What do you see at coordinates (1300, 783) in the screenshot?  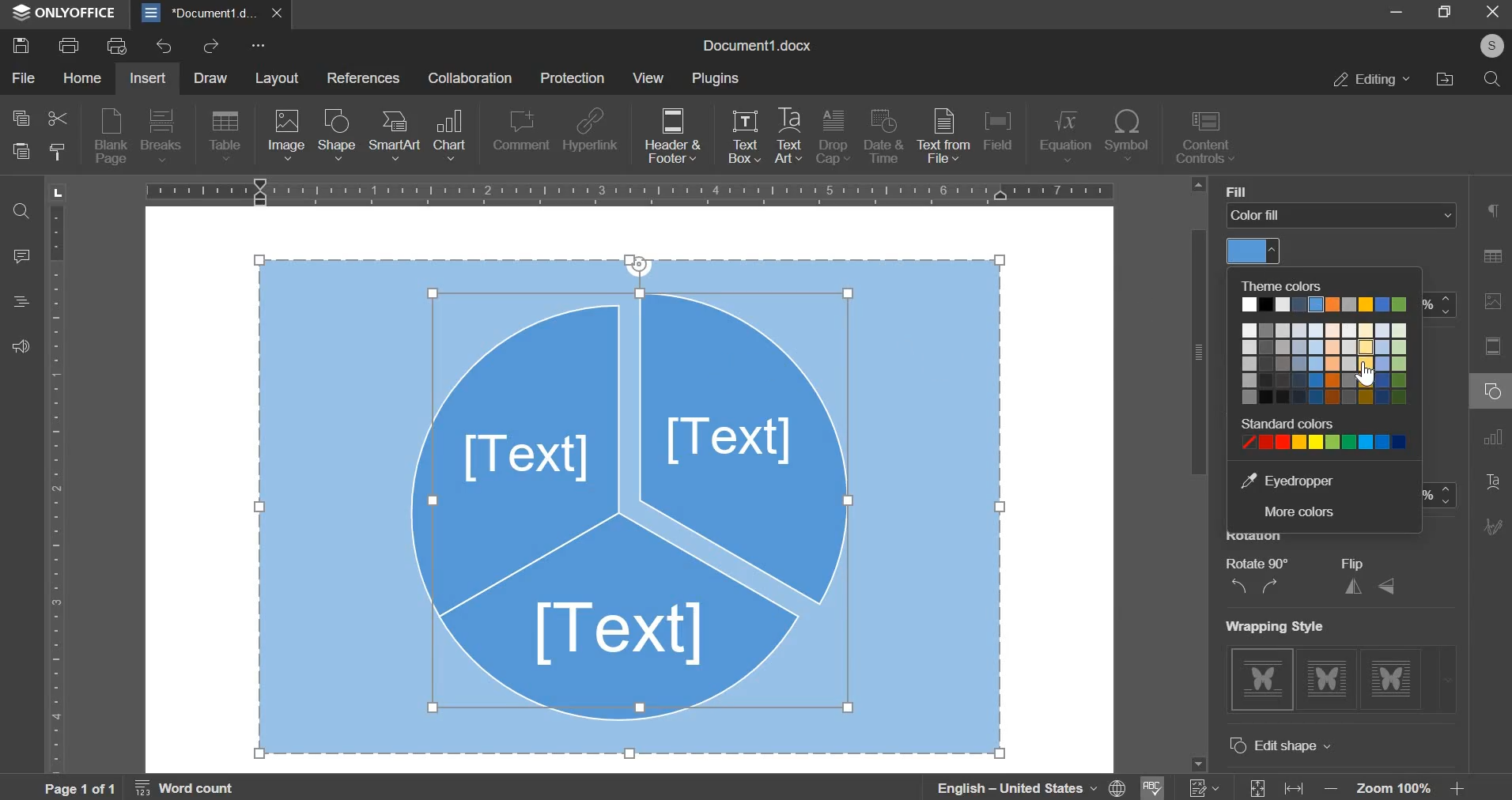 I see `fit width` at bounding box center [1300, 783].